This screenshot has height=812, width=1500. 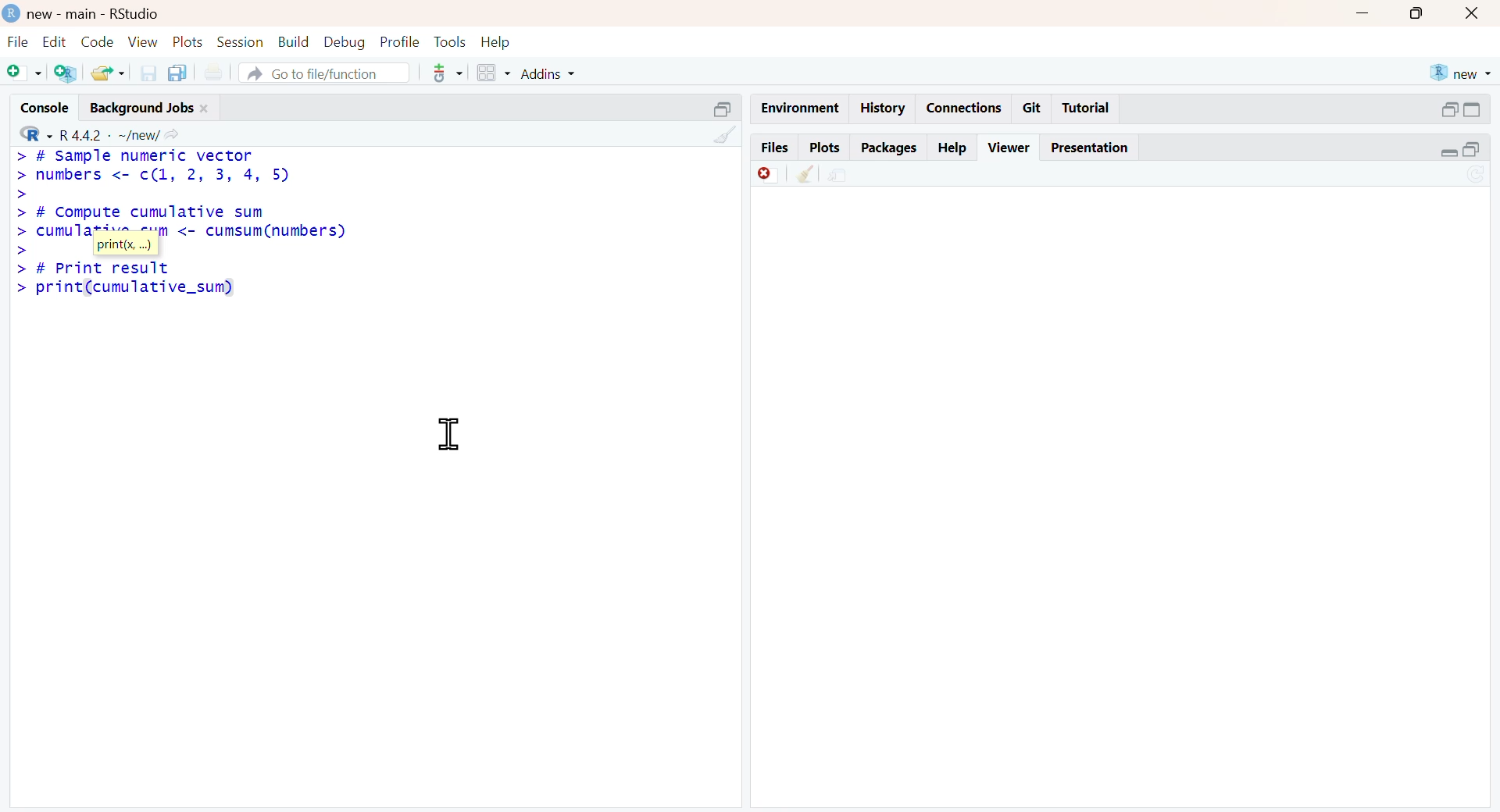 I want to click on build, so click(x=295, y=41).